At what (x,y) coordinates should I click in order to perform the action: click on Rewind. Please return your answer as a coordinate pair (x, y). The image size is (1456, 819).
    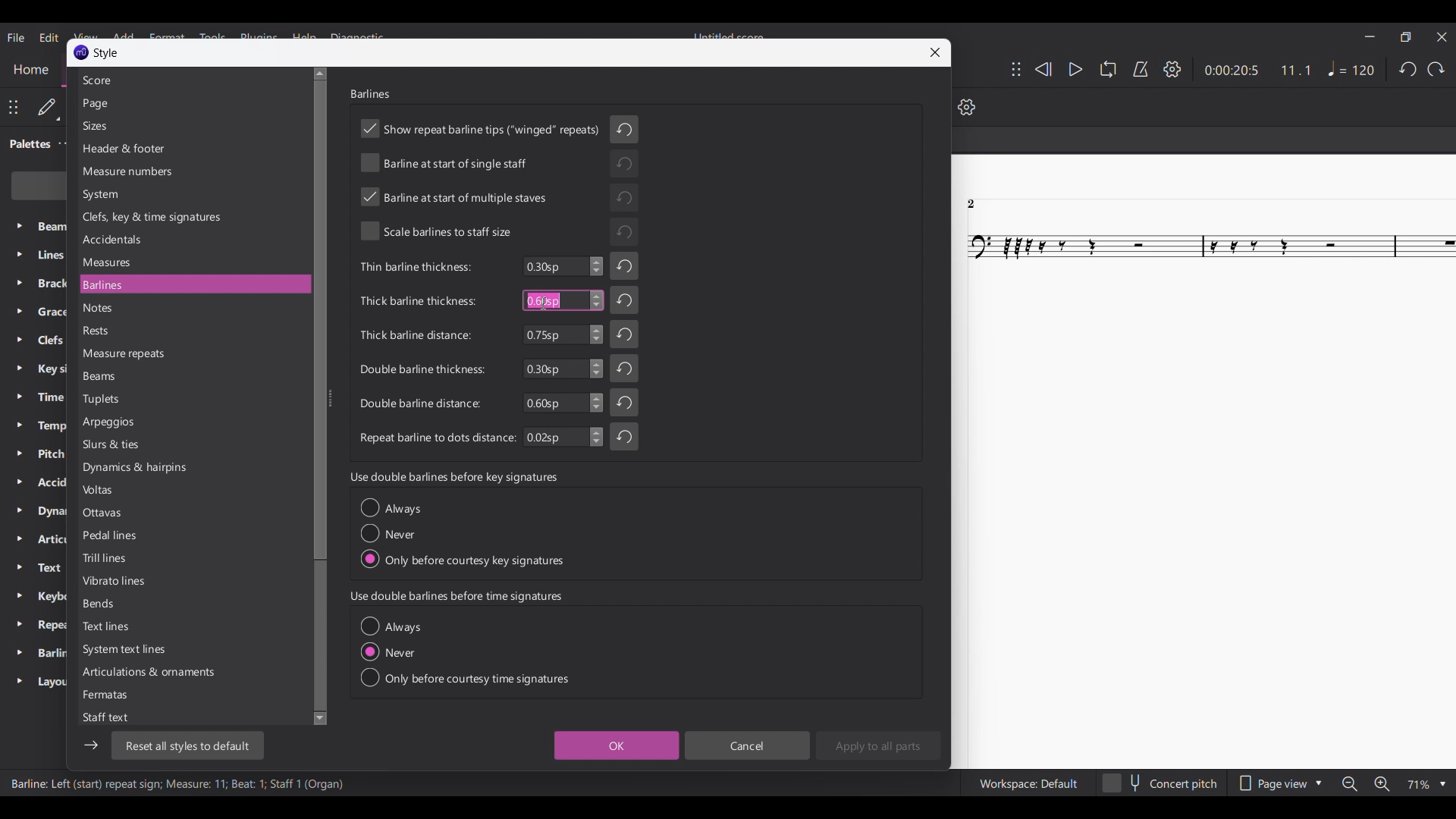
    Looking at the image, I should click on (1043, 69).